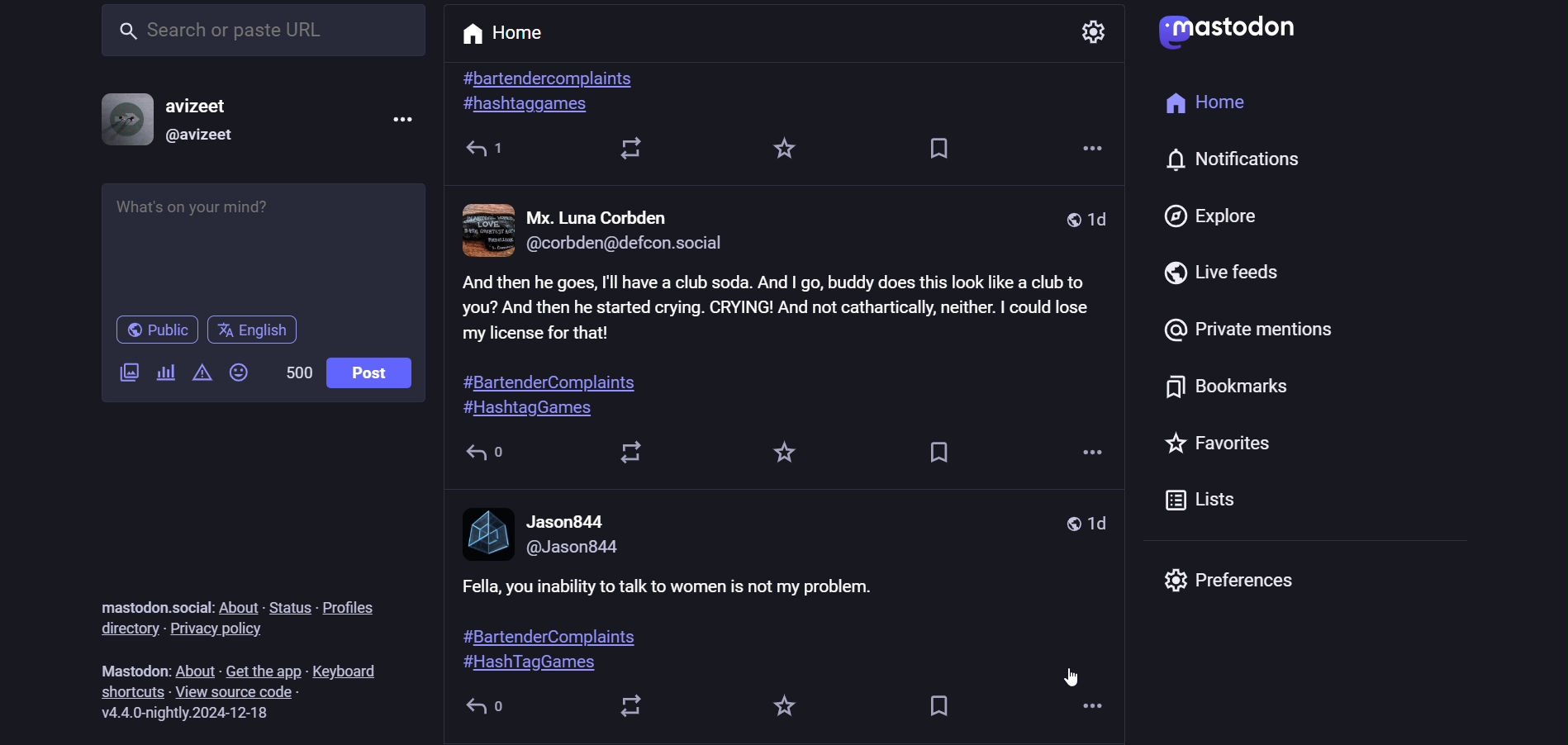 This screenshot has height=745, width=1568. What do you see at coordinates (485, 455) in the screenshot?
I see `replies` at bounding box center [485, 455].